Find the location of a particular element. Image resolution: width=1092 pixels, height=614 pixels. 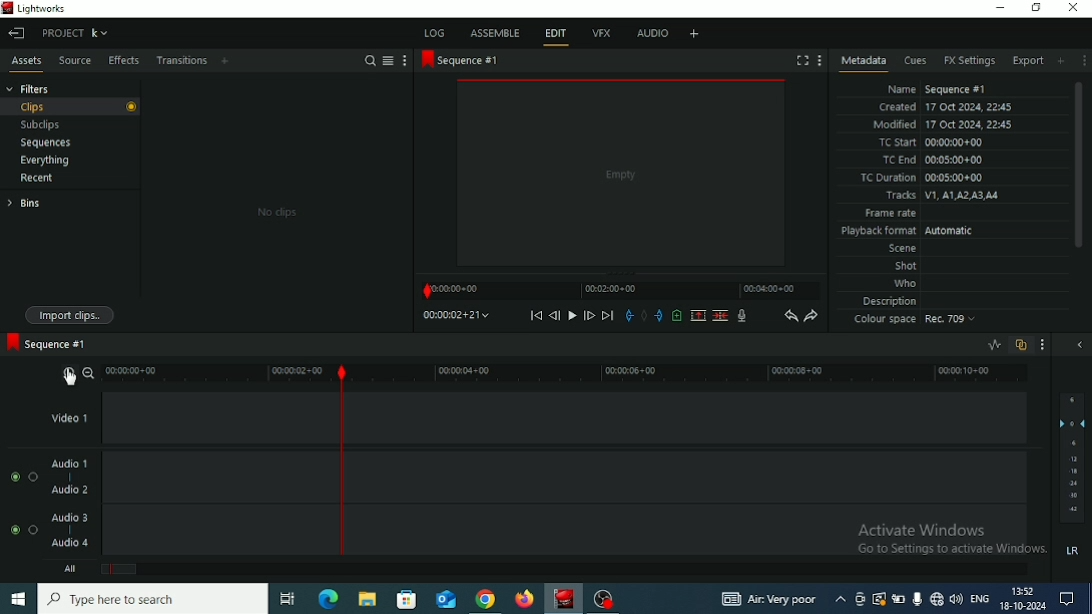

Toggle between list and tile view is located at coordinates (388, 61).